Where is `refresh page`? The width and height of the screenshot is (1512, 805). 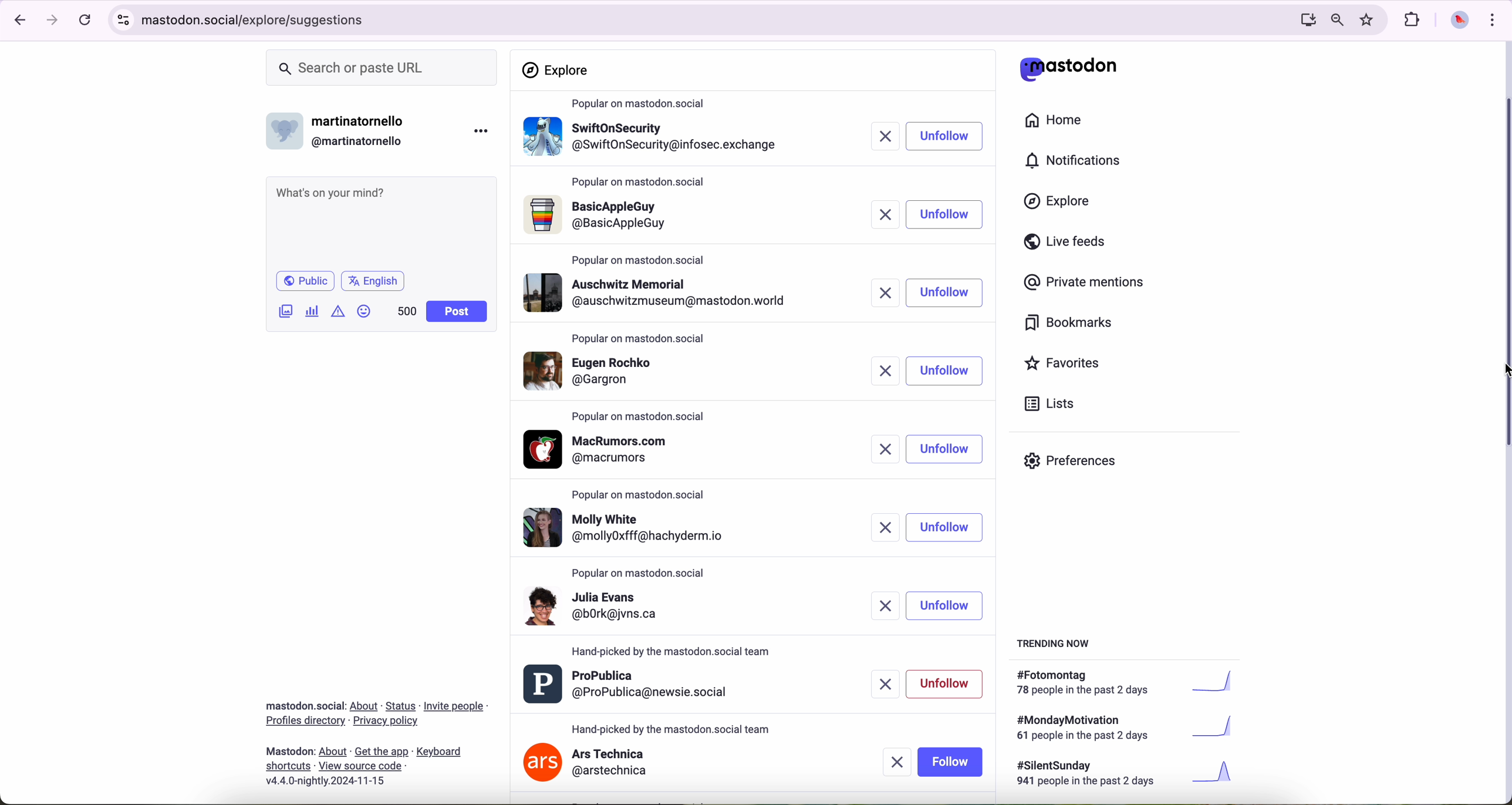 refresh page is located at coordinates (86, 21).